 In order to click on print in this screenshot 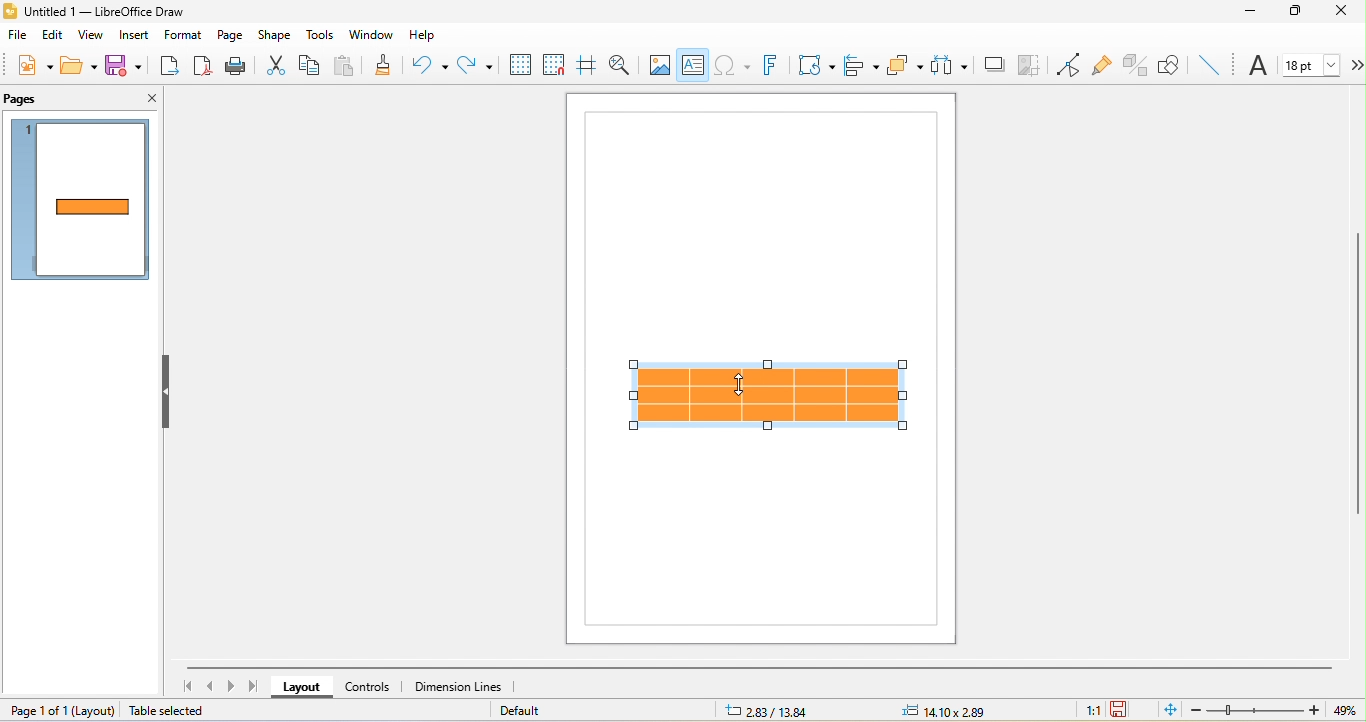, I will do `click(234, 64)`.